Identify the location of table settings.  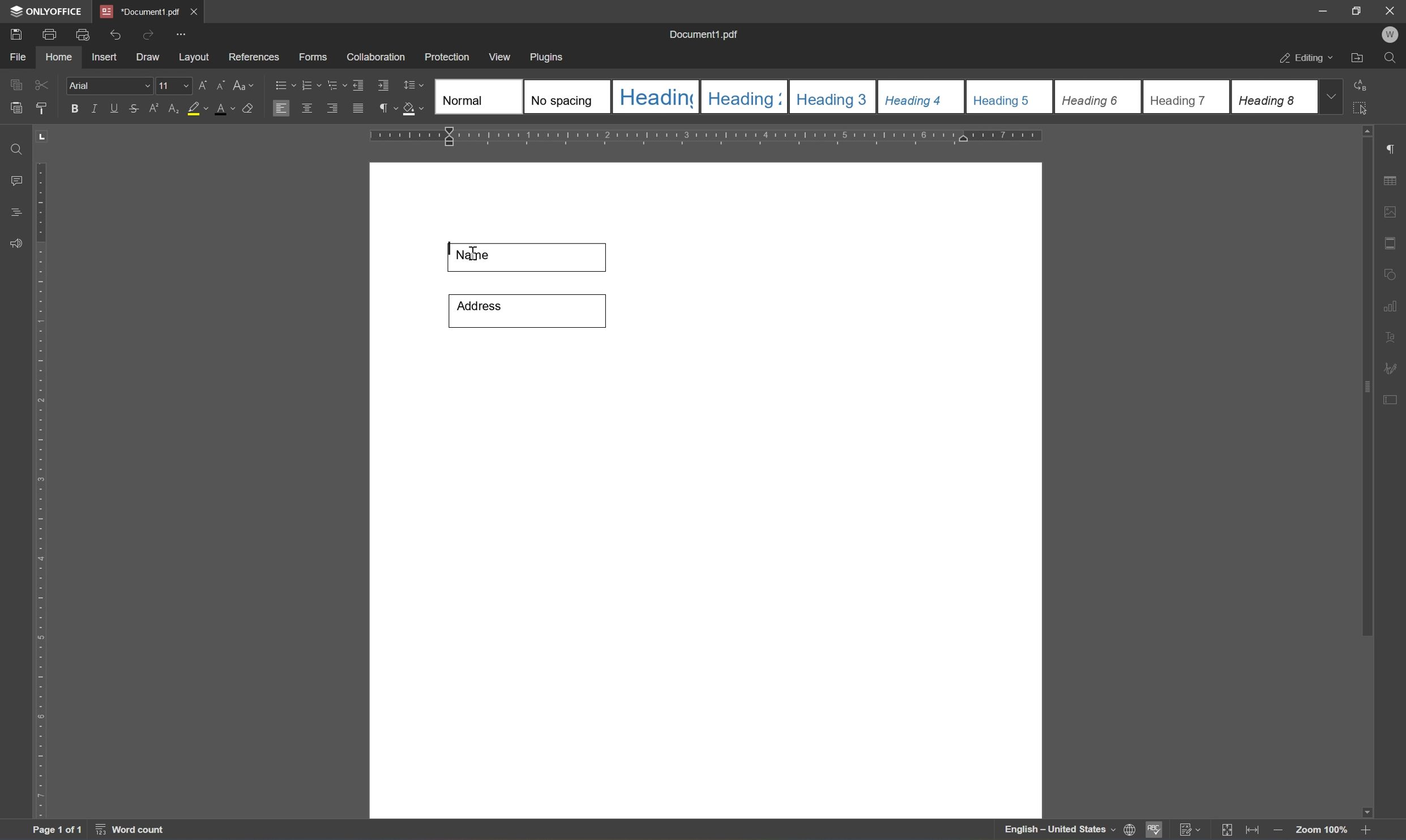
(1392, 179).